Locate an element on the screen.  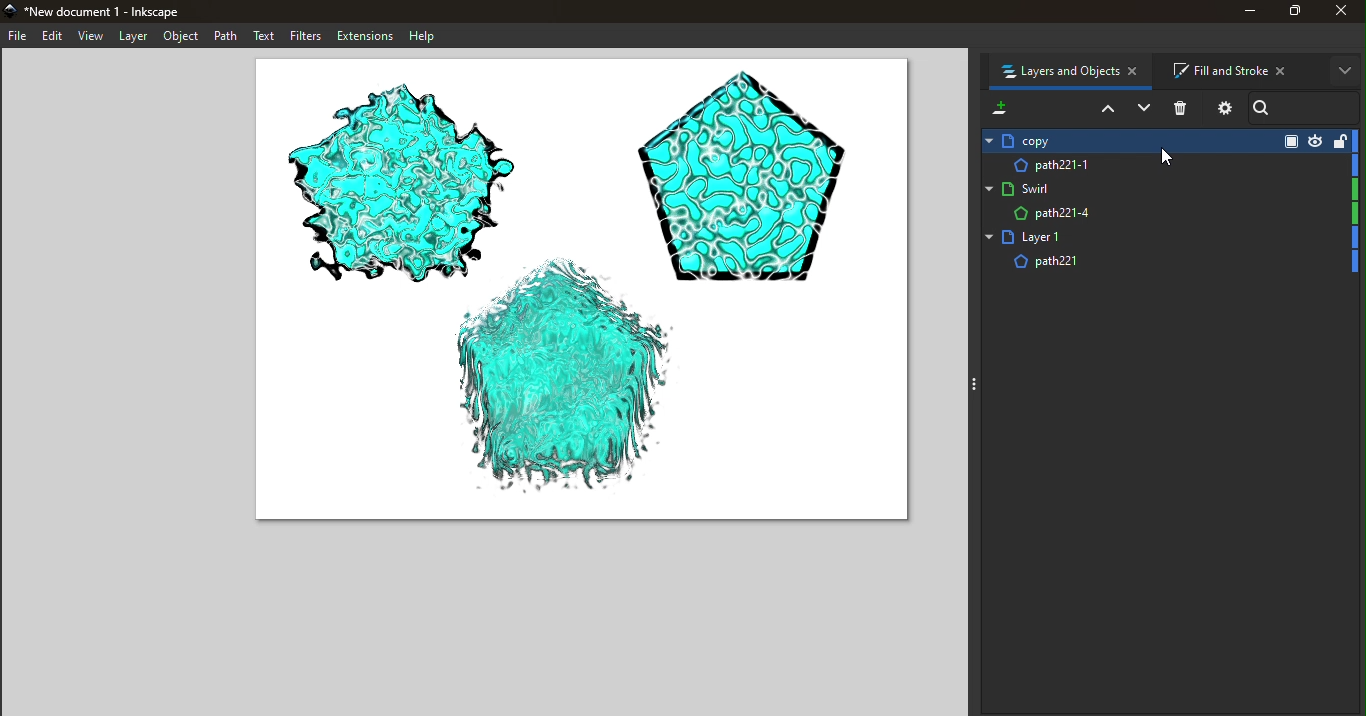
Toggle command palette is located at coordinates (971, 384).